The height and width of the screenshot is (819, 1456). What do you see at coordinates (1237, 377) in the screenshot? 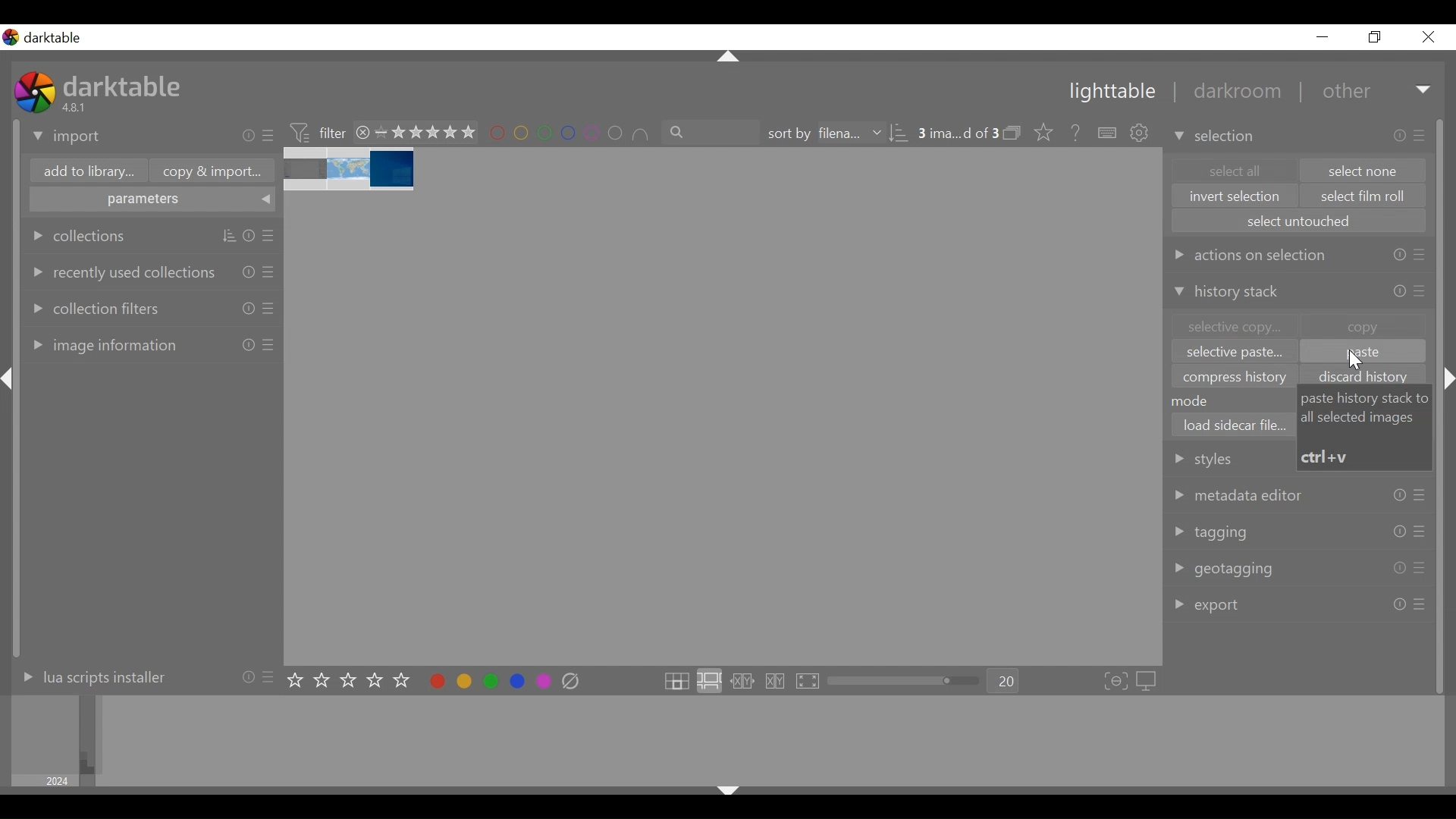
I see `compress history` at bounding box center [1237, 377].